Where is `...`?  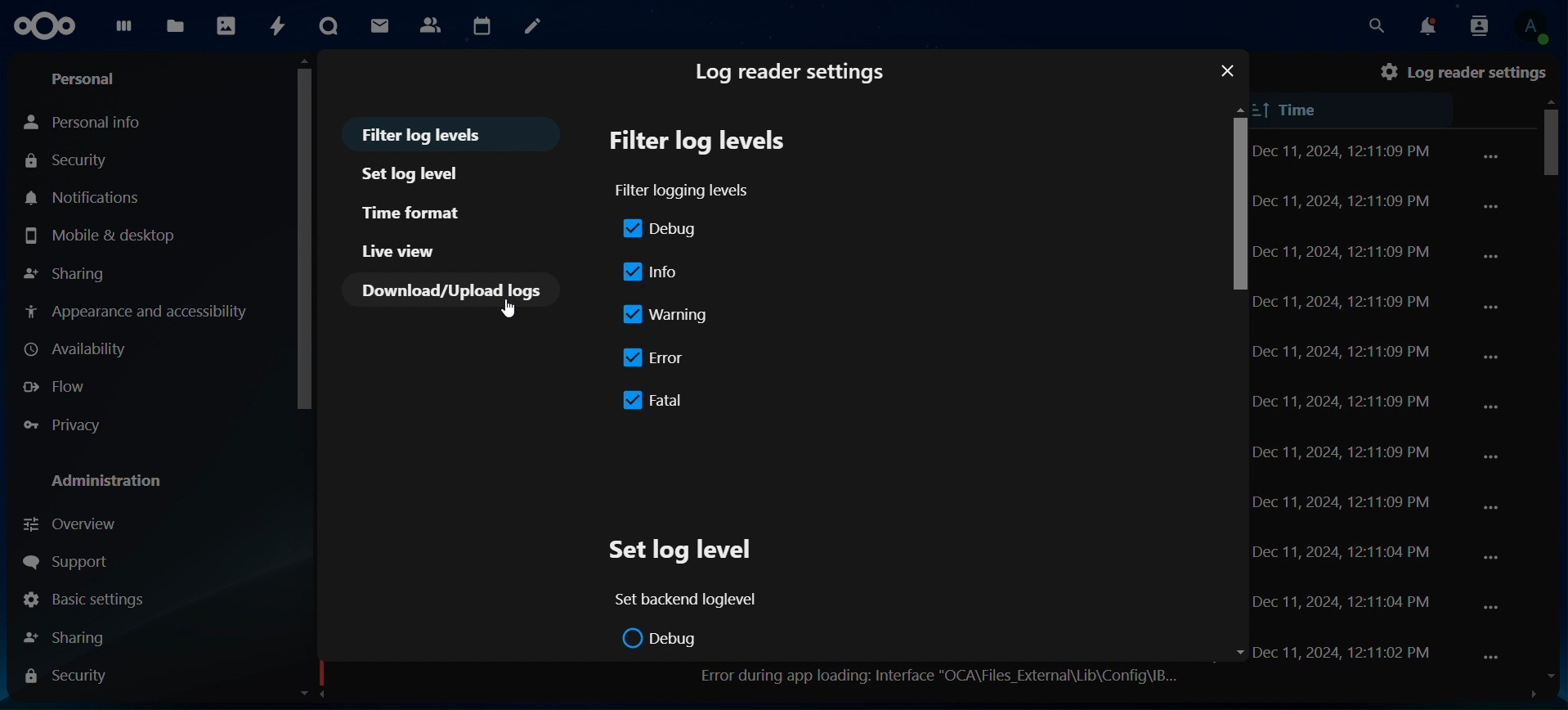 ... is located at coordinates (1491, 607).